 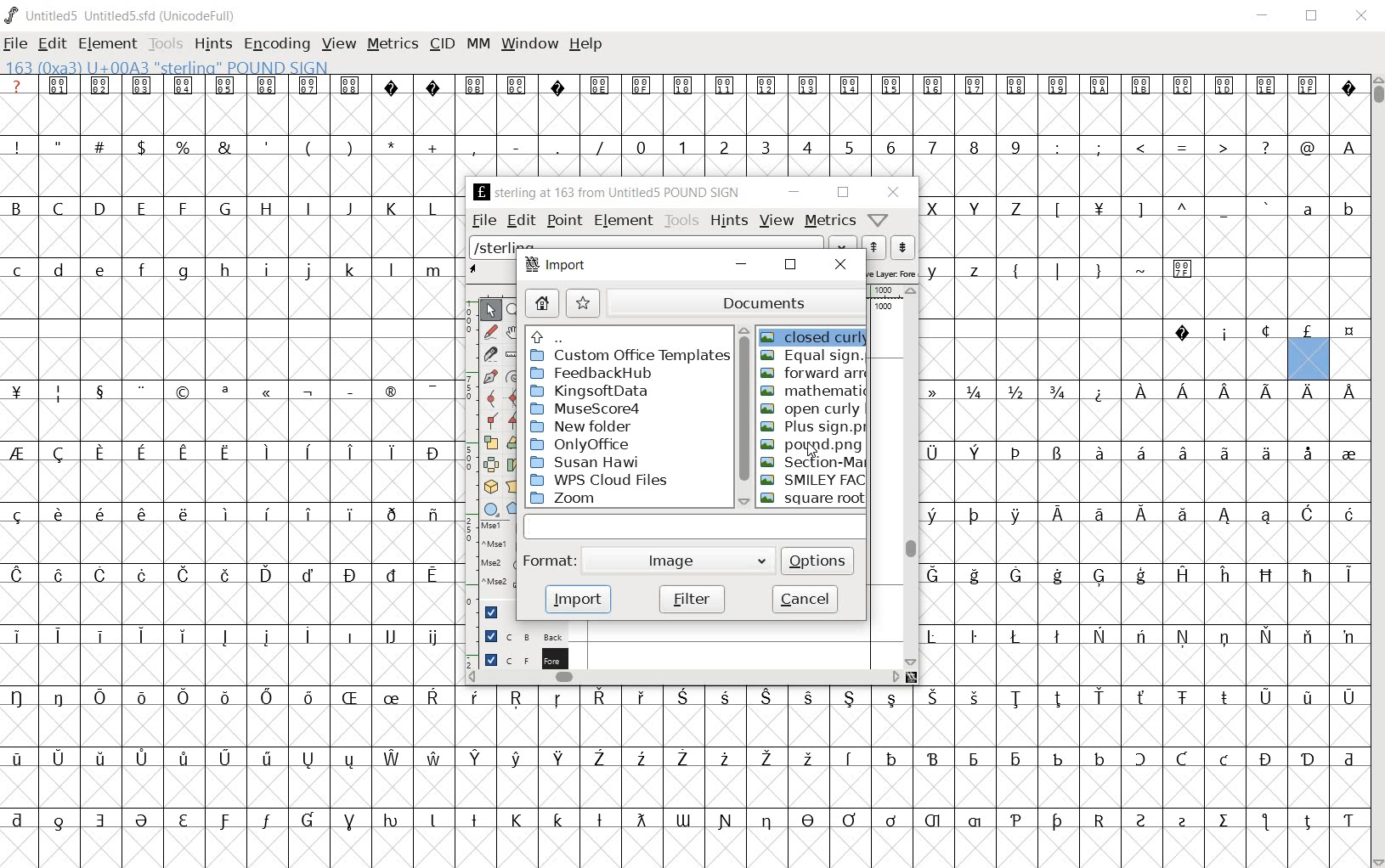 What do you see at coordinates (1224, 86) in the screenshot?
I see `Symbol` at bounding box center [1224, 86].